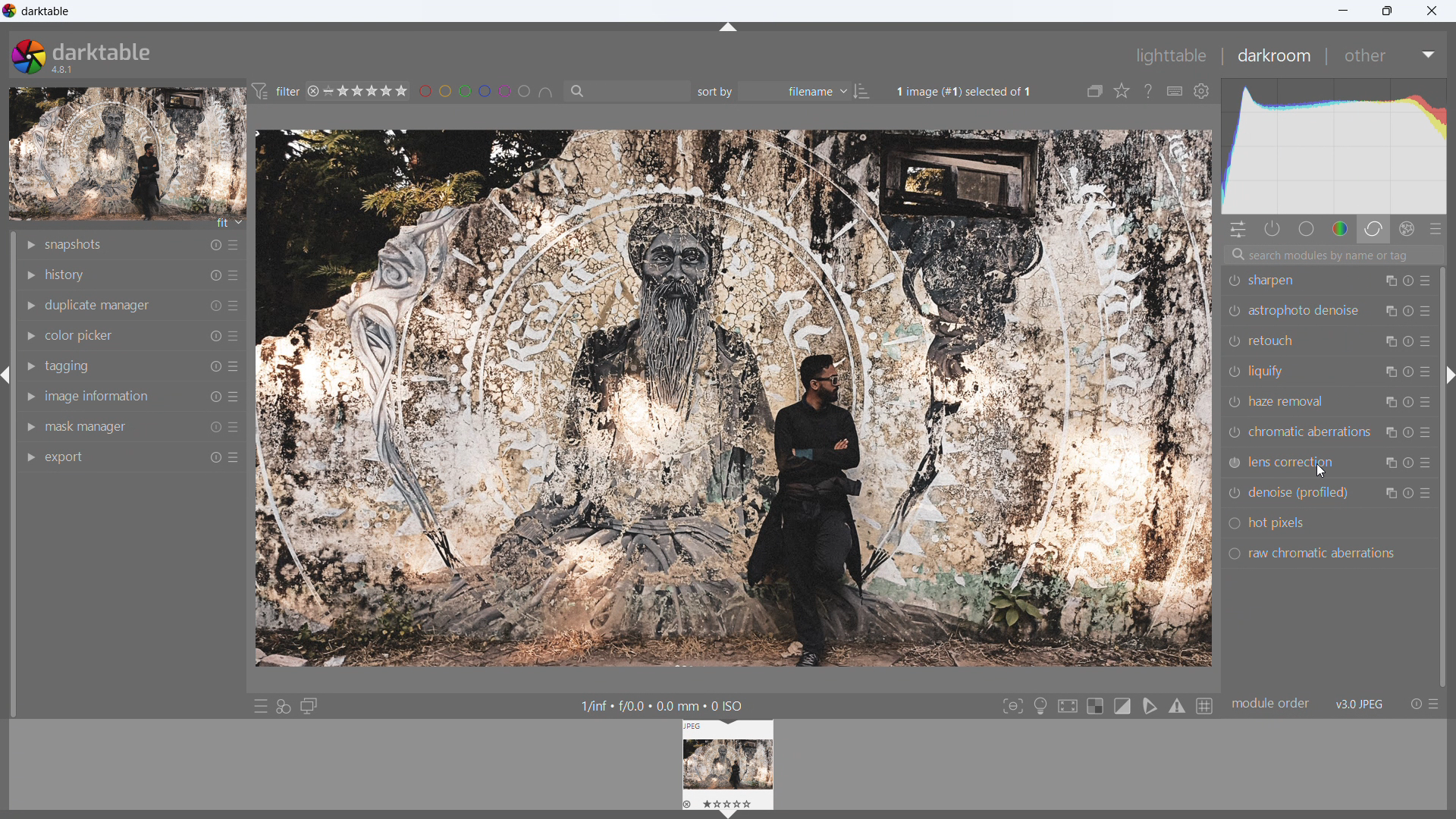  What do you see at coordinates (62, 71) in the screenshot?
I see `version` at bounding box center [62, 71].